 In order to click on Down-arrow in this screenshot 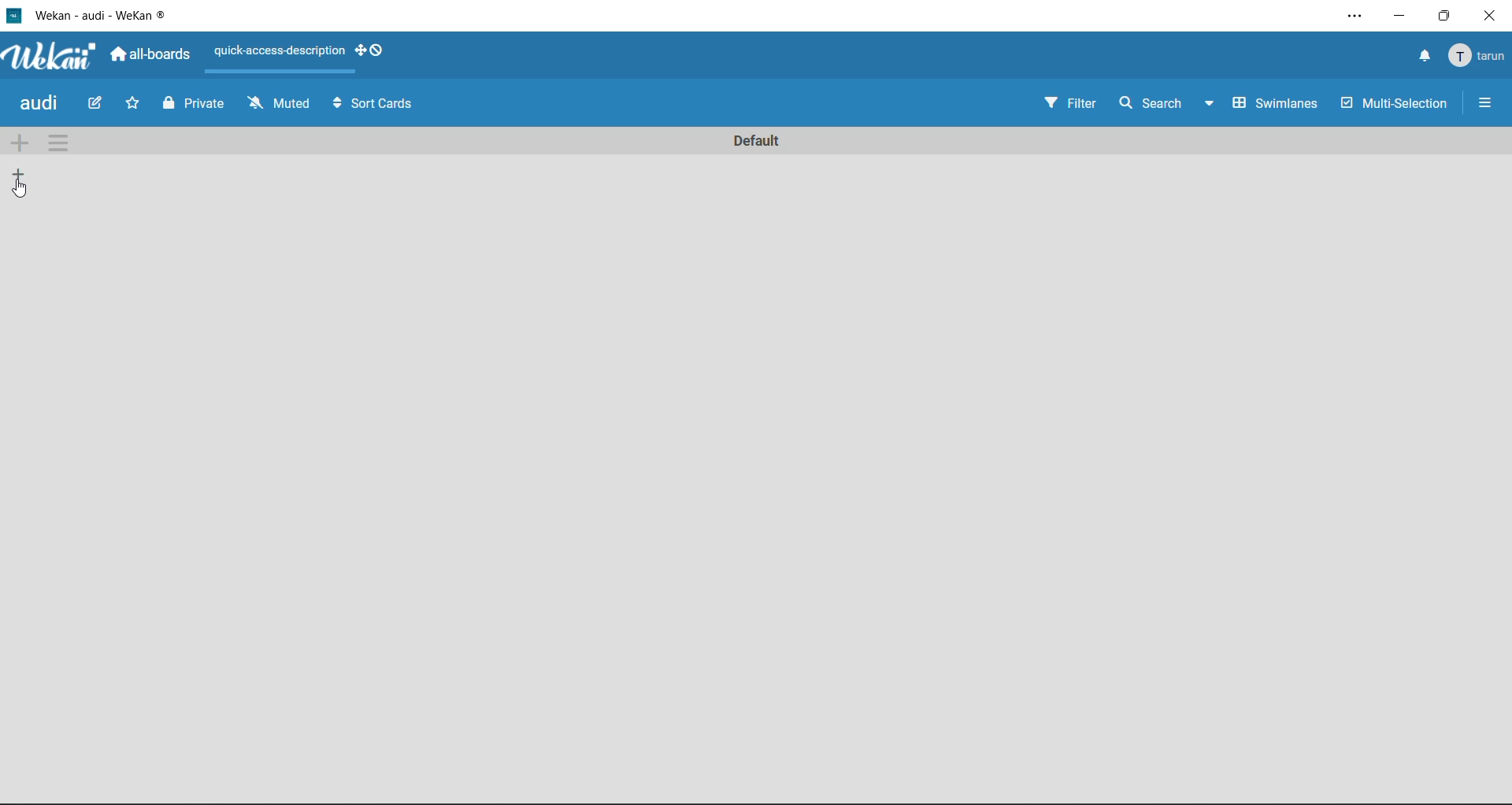, I will do `click(1208, 102)`.